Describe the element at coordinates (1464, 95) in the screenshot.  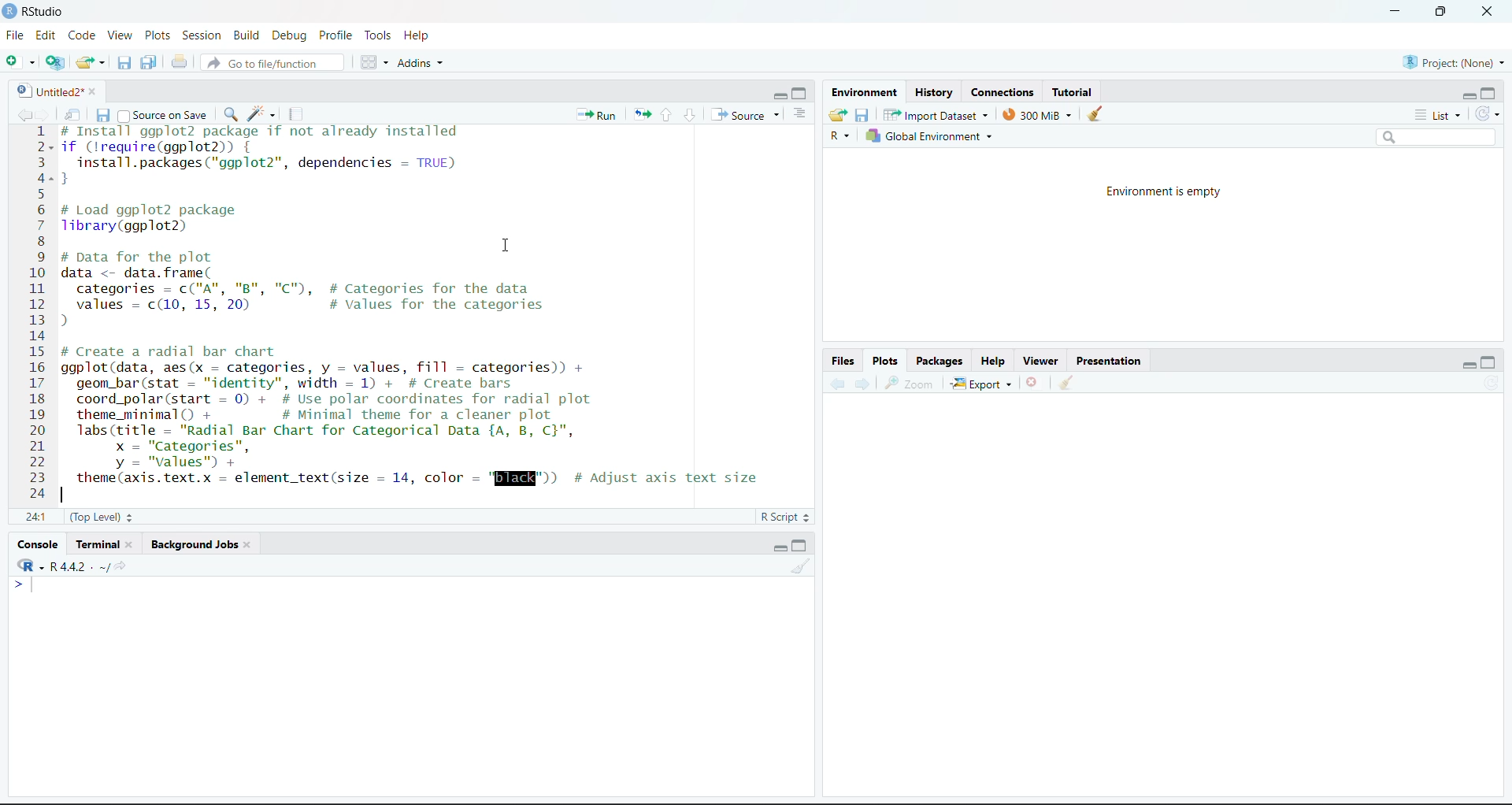
I see `hide r  script` at that location.